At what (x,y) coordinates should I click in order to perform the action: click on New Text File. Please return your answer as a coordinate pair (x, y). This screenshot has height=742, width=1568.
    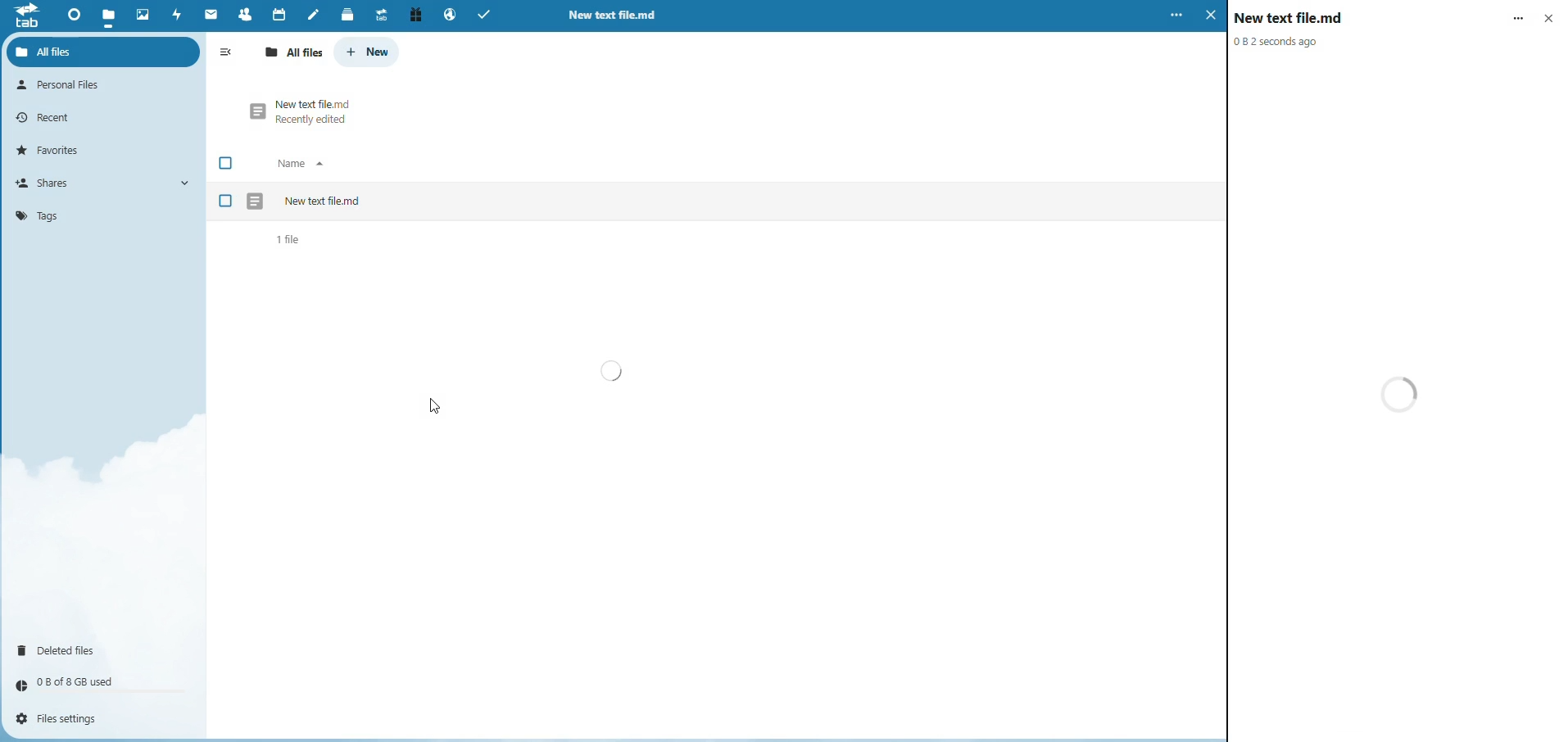
    Looking at the image, I should click on (324, 200).